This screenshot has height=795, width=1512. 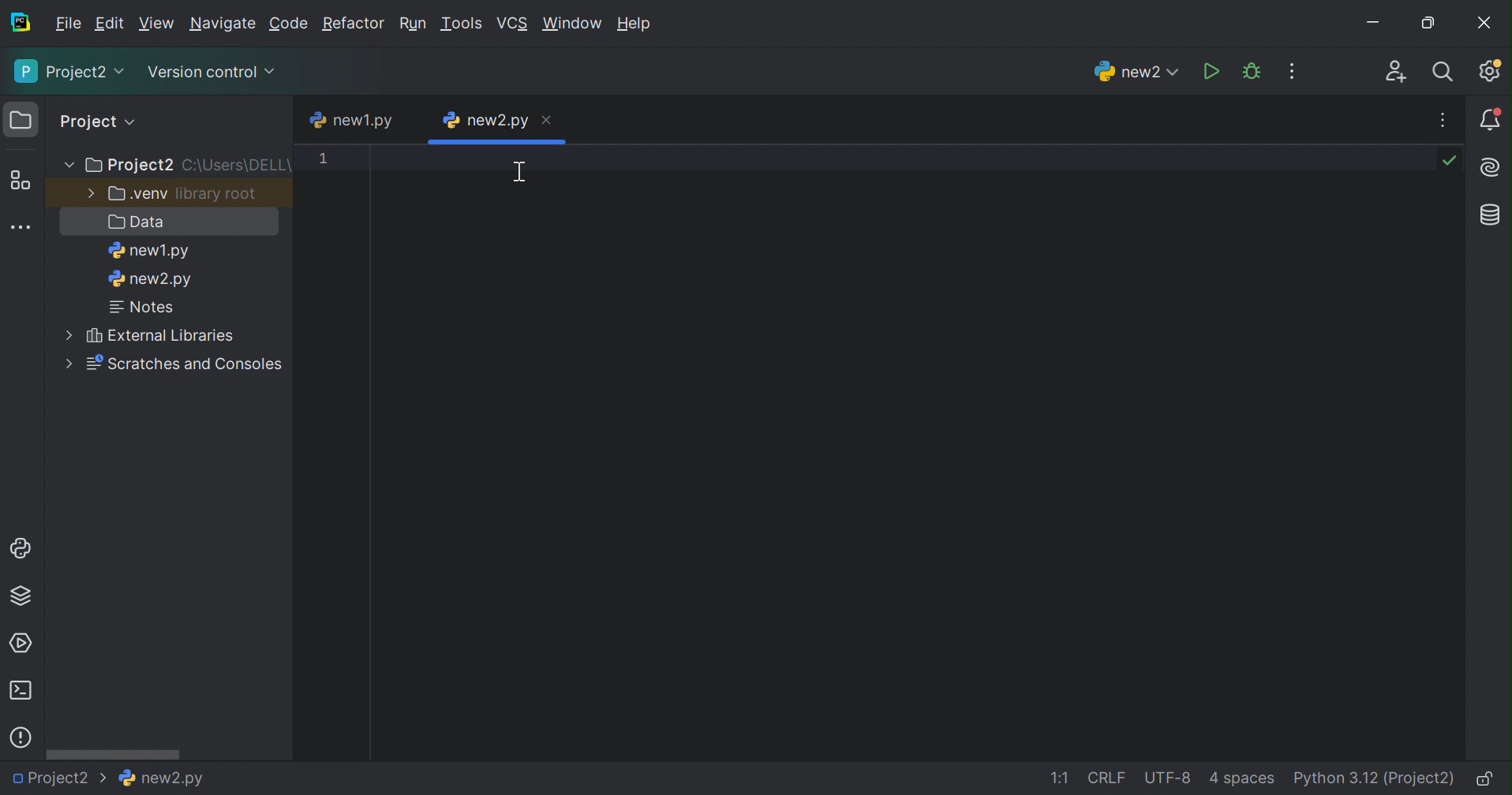 I want to click on Project, so click(x=99, y=121).